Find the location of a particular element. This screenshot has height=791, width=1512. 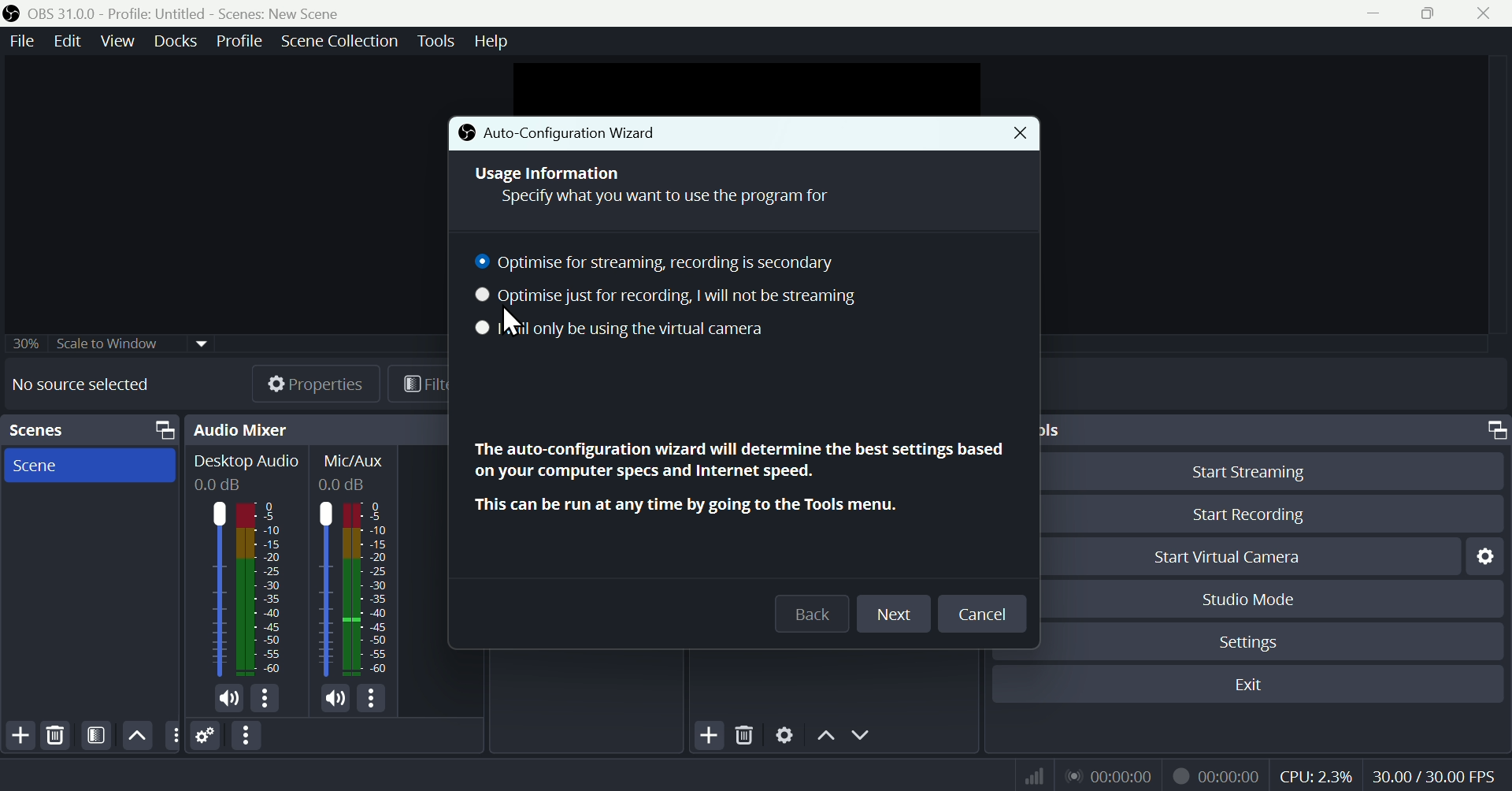

Delete is located at coordinates (745, 732).